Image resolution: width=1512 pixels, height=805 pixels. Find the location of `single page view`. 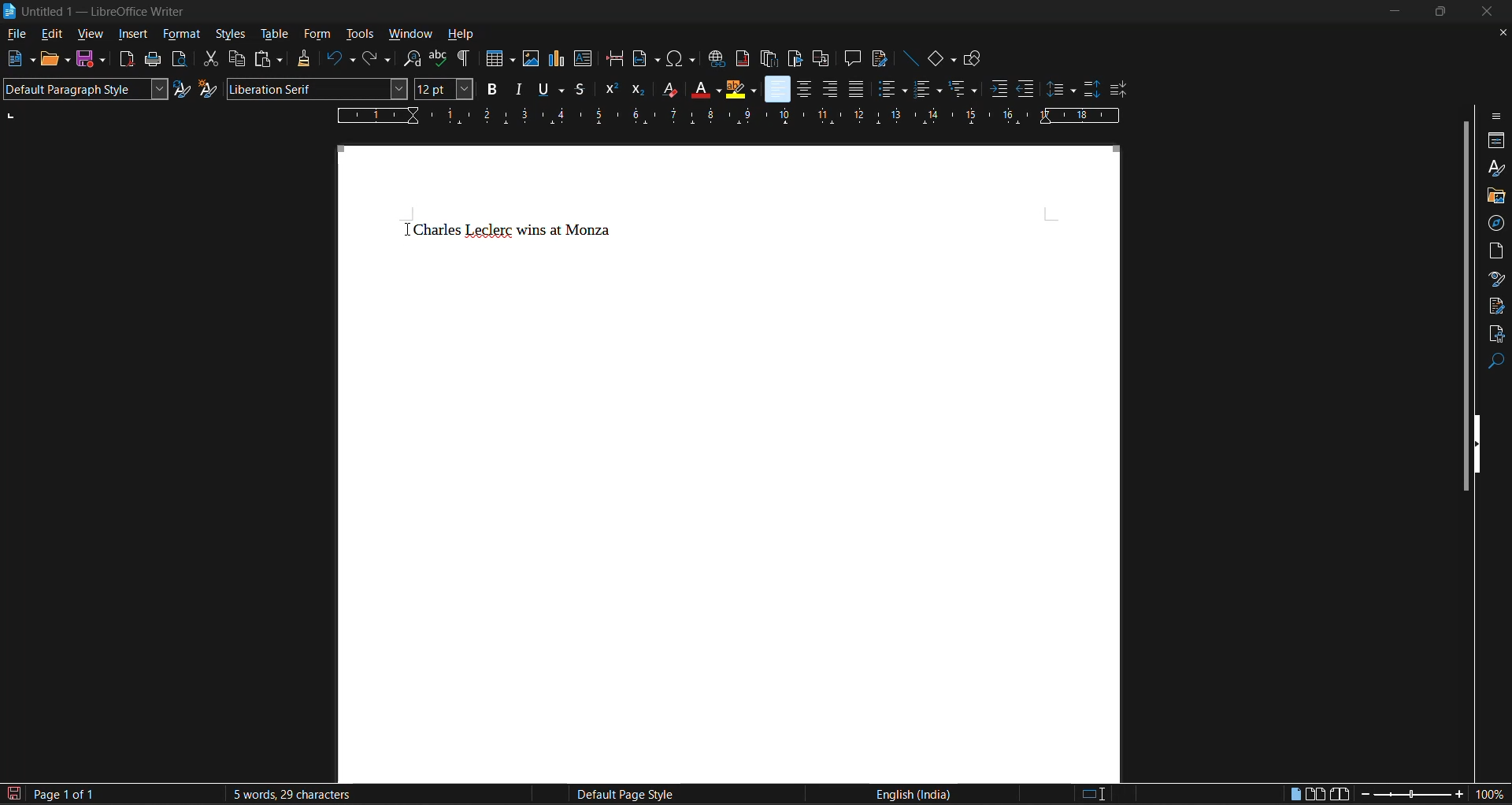

single page view is located at coordinates (1296, 796).